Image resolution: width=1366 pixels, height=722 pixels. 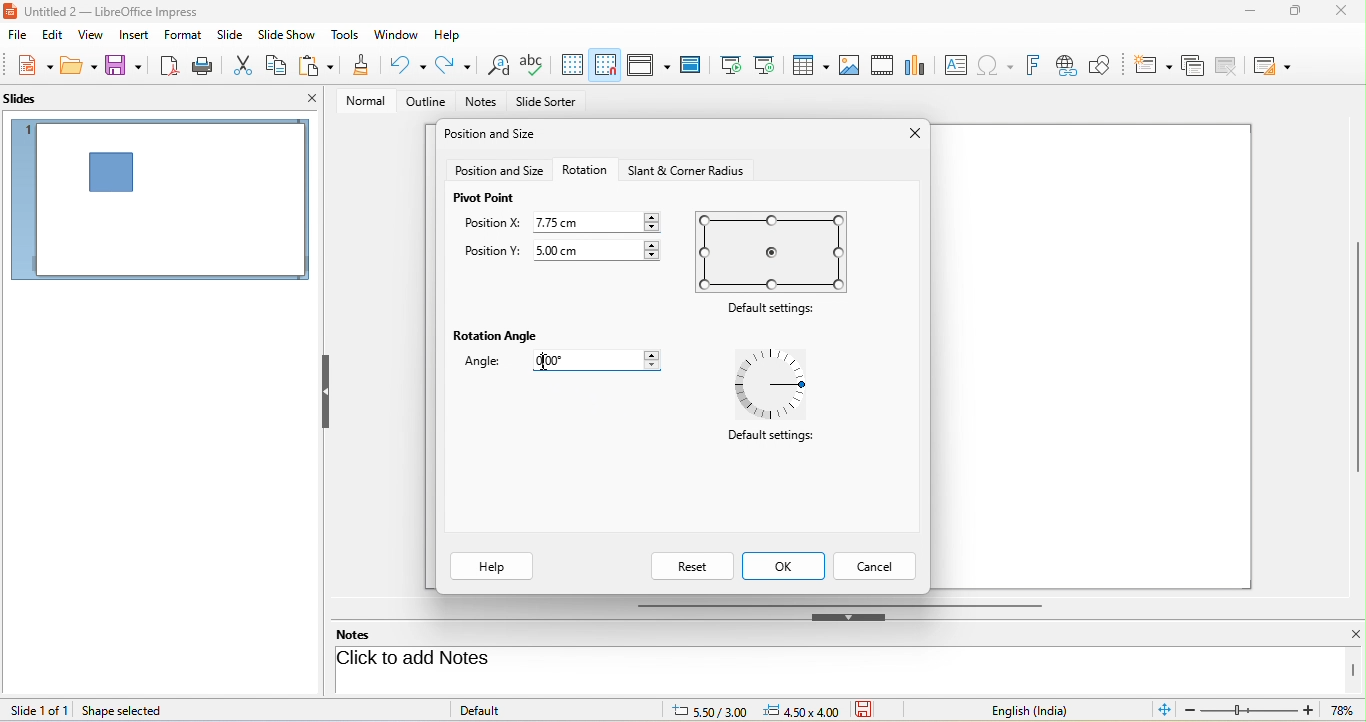 What do you see at coordinates (605, 363) in the screenshot?
I see `0.00 degree angle` at bounding box center [605, 363].